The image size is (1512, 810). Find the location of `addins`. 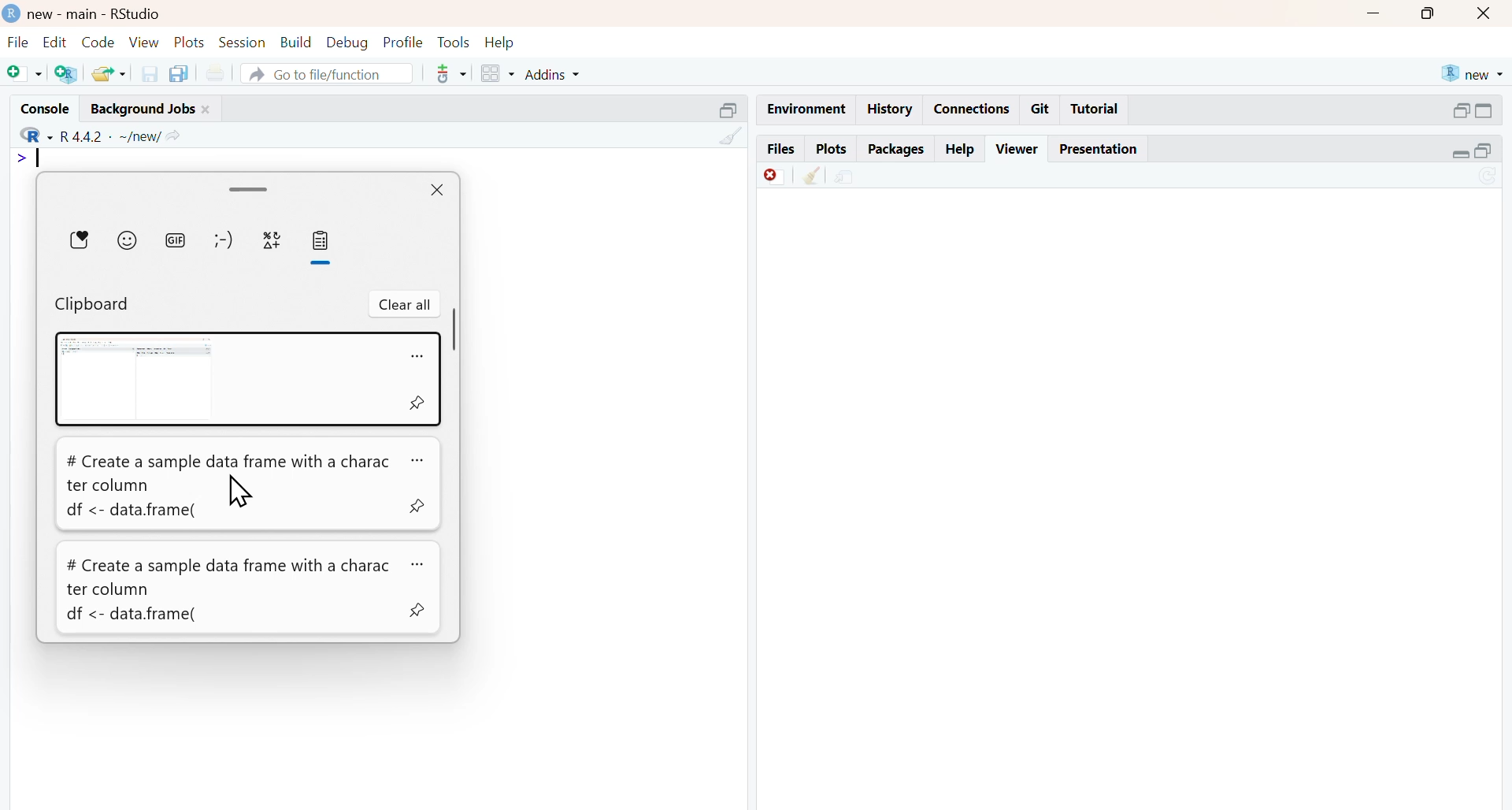

addins is located at coordinates (553, 75).